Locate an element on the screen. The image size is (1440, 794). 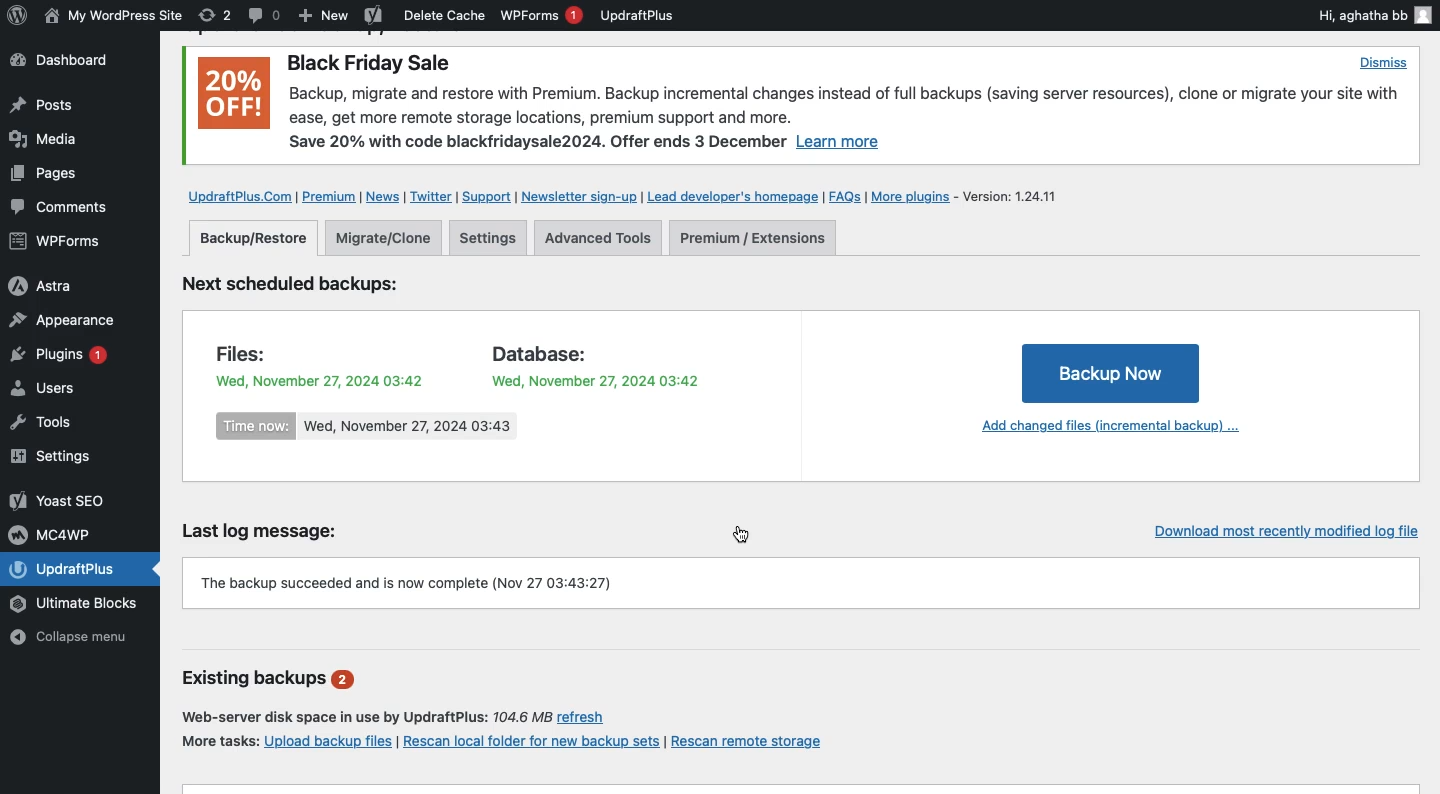
Next scheduled backups: is located at coordinates (307, 287).